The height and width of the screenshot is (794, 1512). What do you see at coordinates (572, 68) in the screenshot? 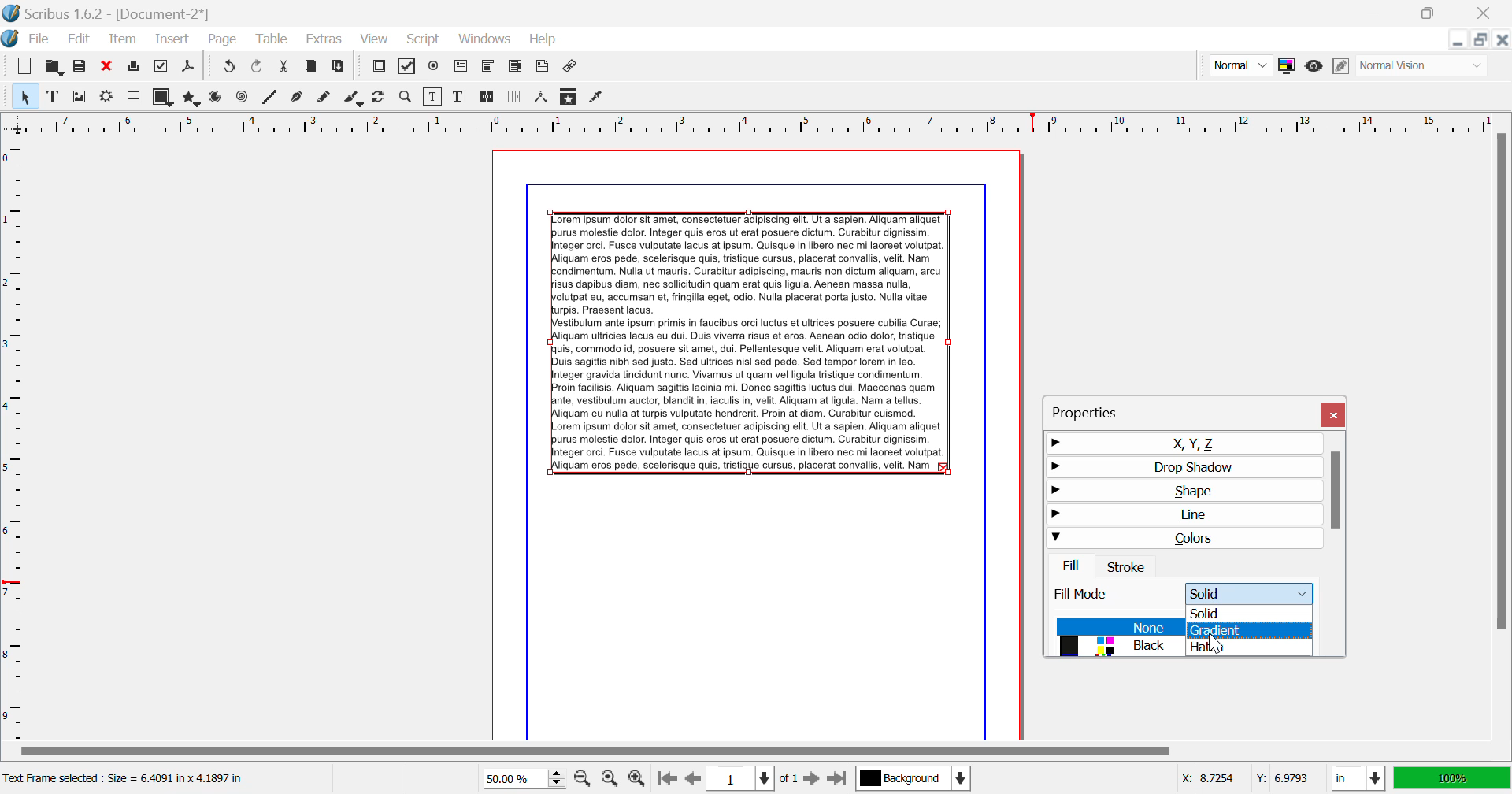
I see `Link Annotation` at bounding box center [572, 68].